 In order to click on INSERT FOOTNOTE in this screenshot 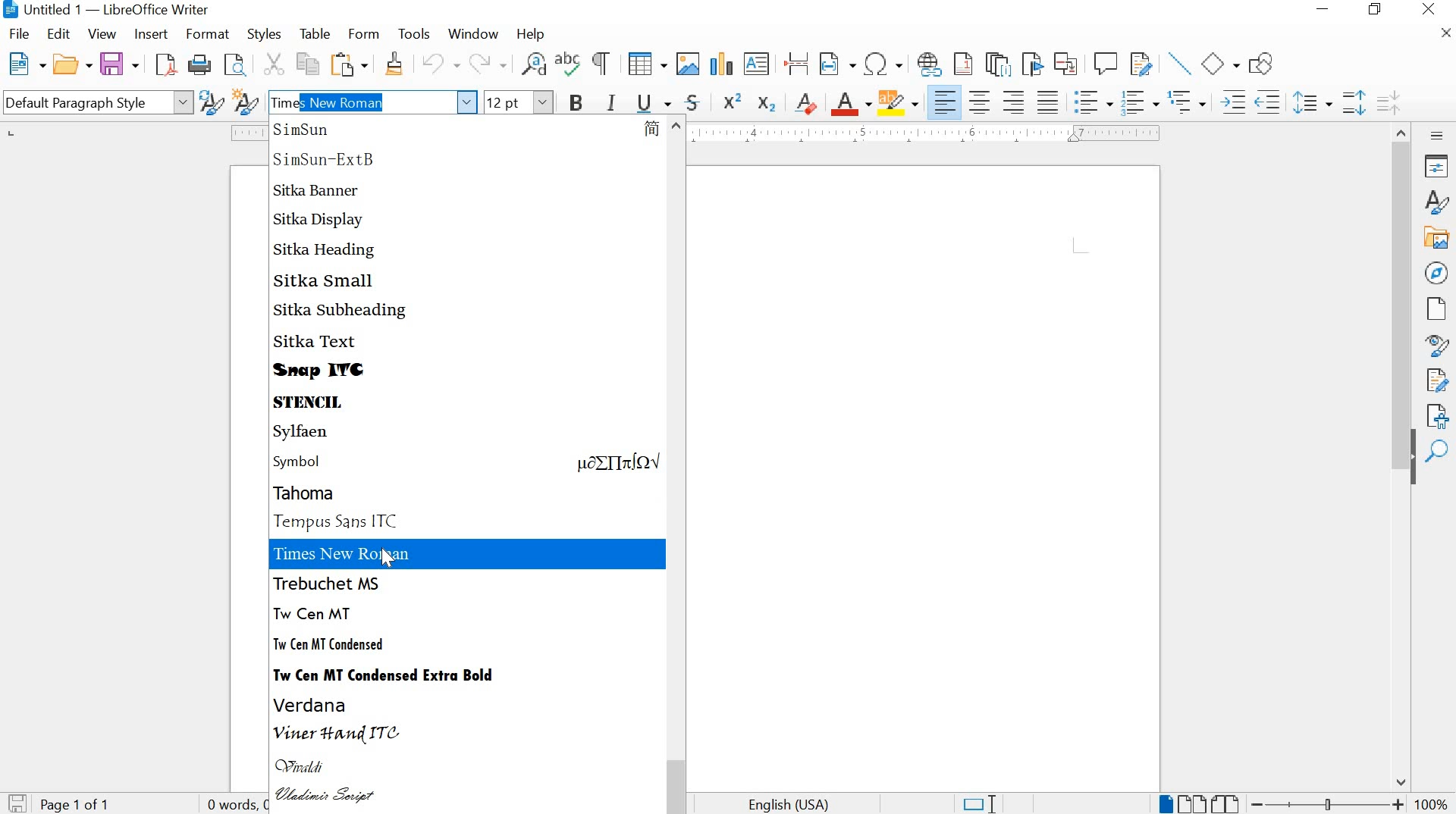, I will do `click(964, 65)`.